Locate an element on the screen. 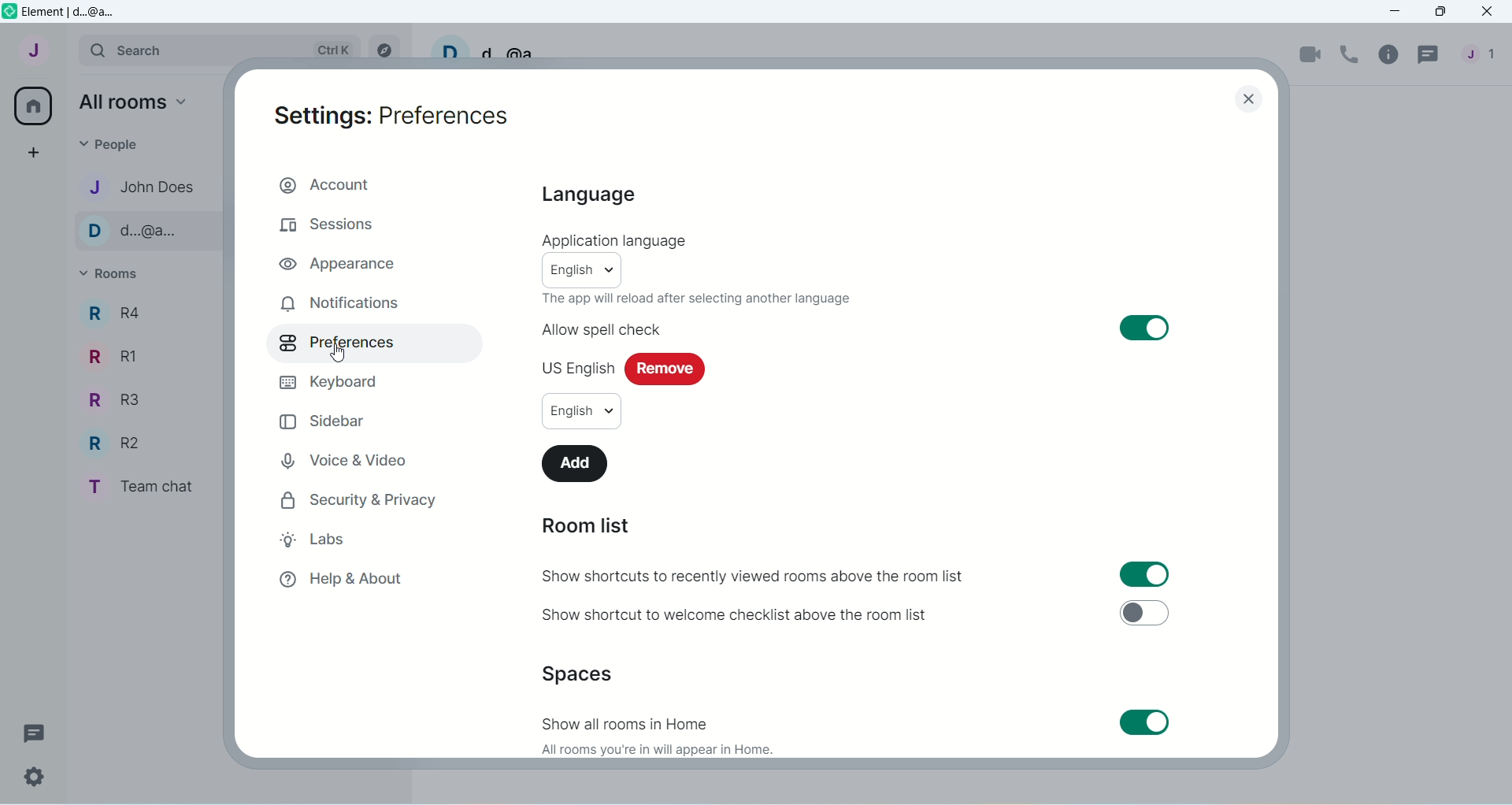  Sidebar is located at coordinates (324, 423).